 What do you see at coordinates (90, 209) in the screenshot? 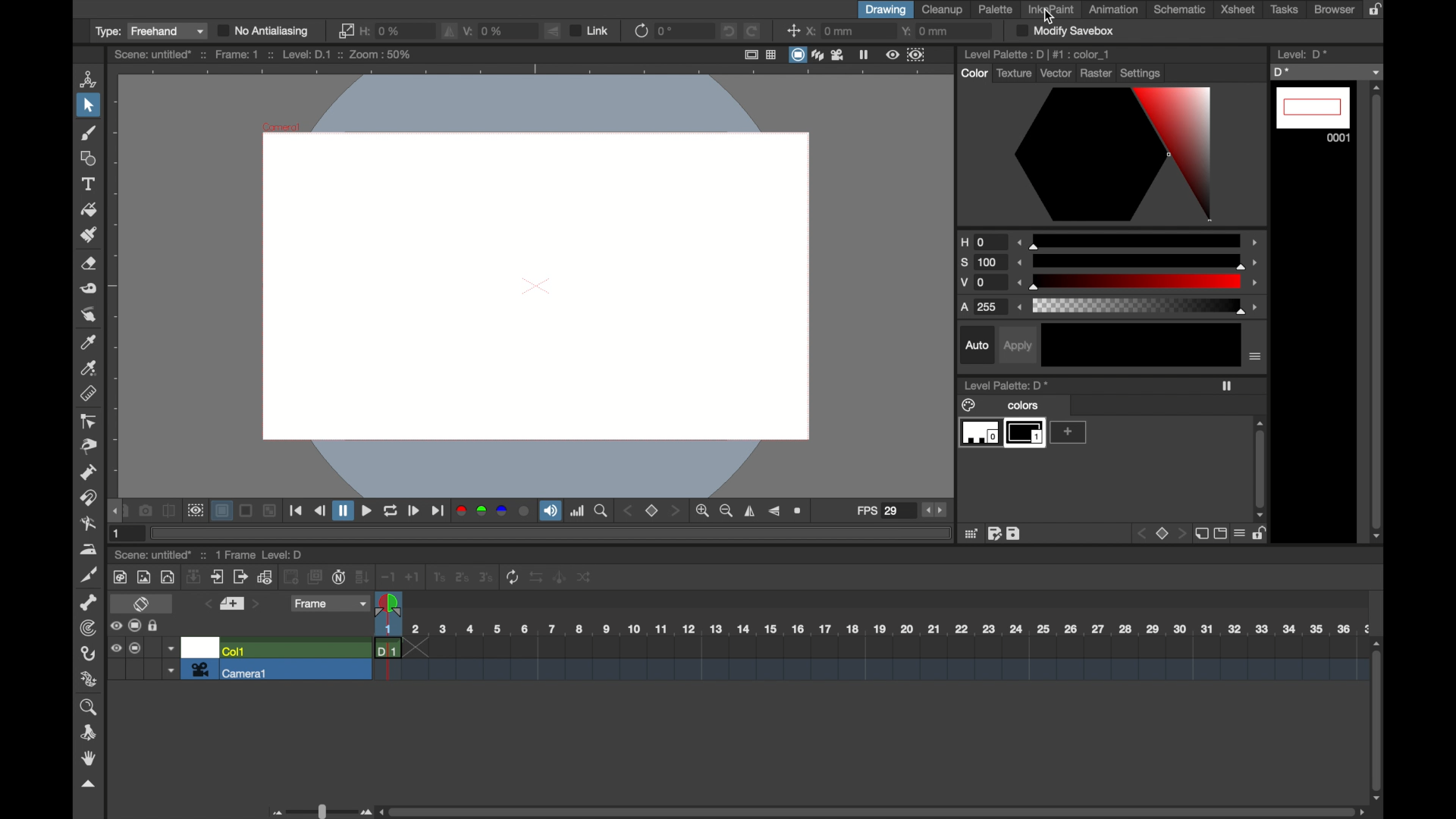
I see `fill tool` at bounding box center [90, 209].